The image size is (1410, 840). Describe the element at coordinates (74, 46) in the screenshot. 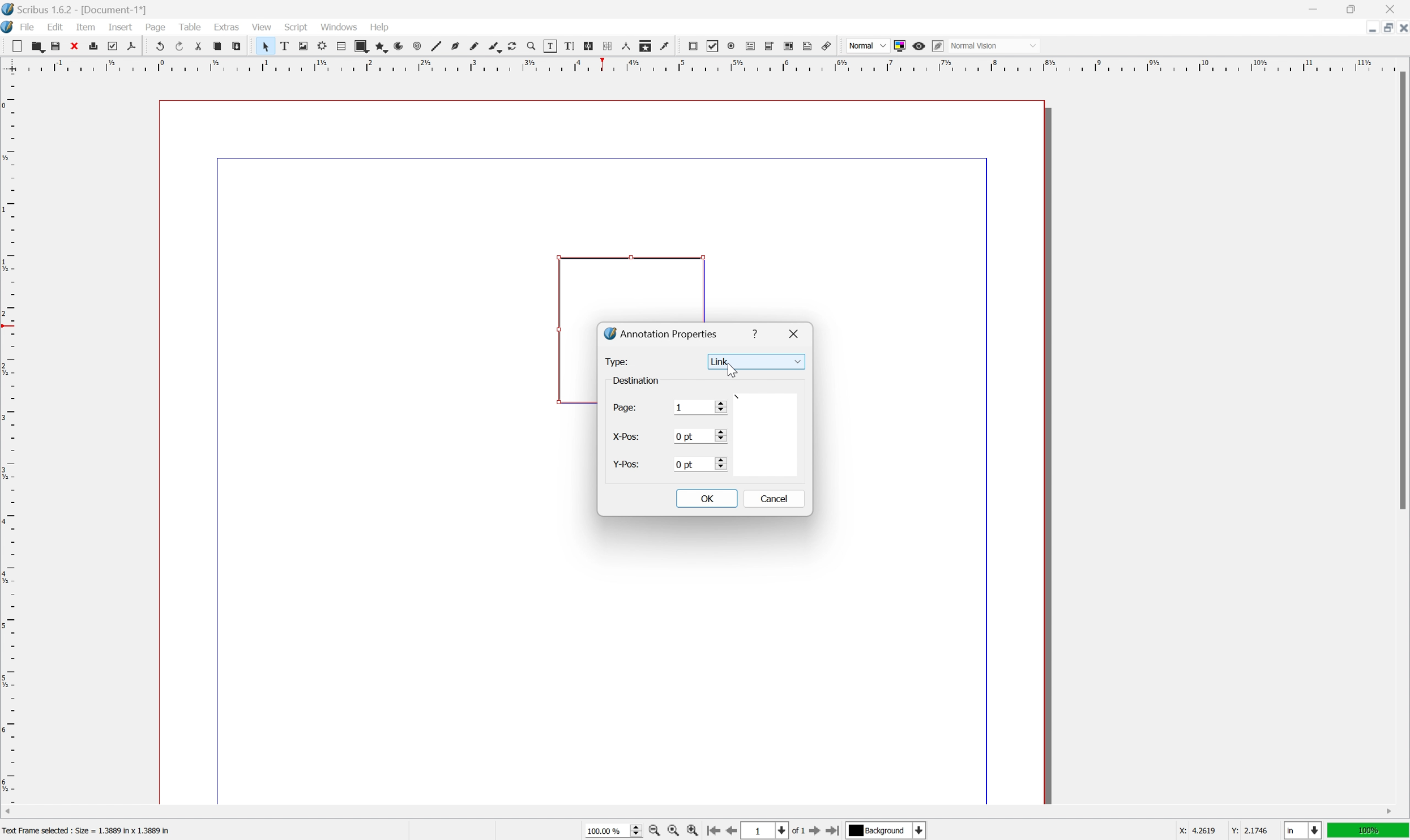

I see `close` at that location.